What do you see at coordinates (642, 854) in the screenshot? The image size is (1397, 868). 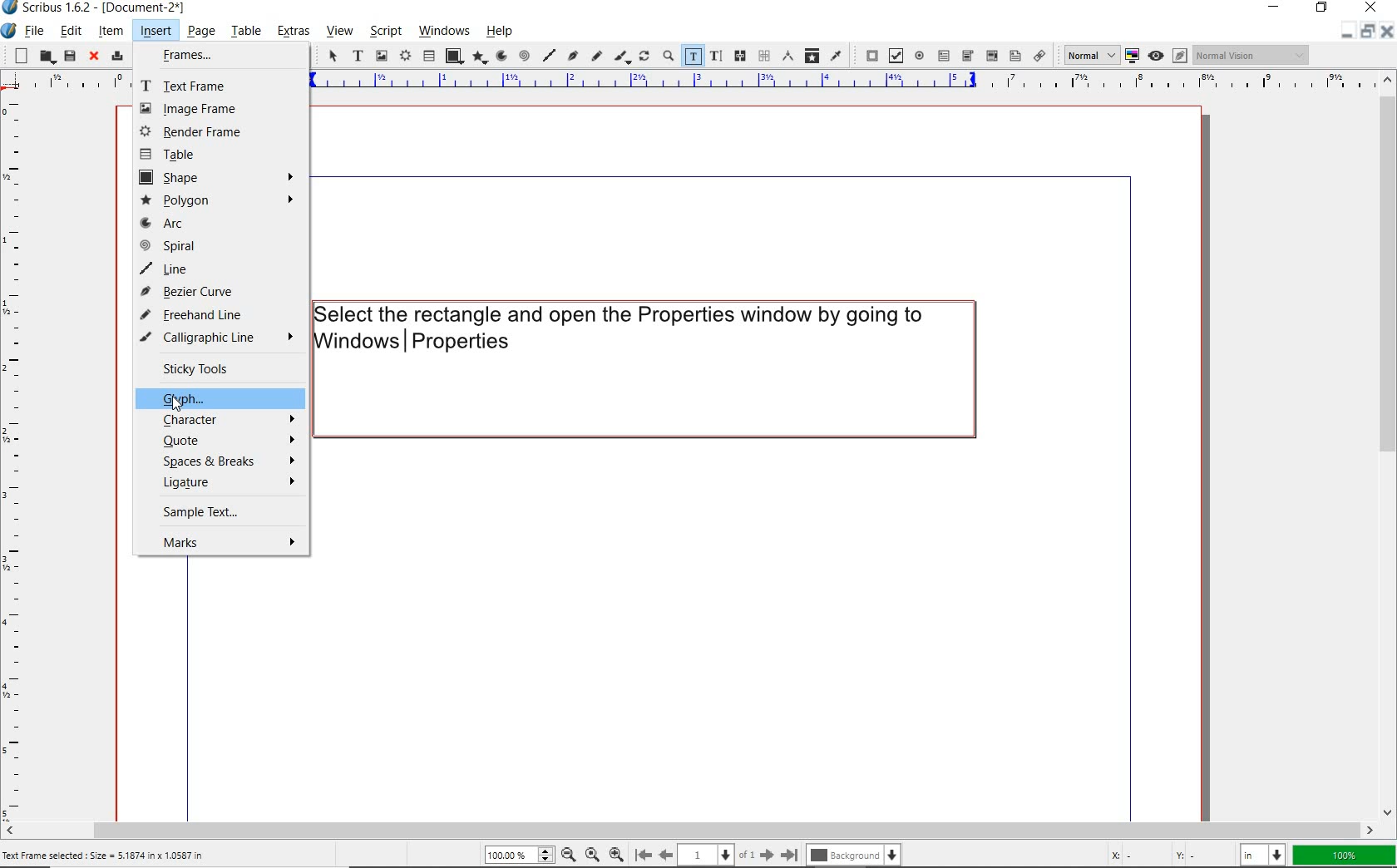 I see `go to the first page` at bounding box center [642, 854].